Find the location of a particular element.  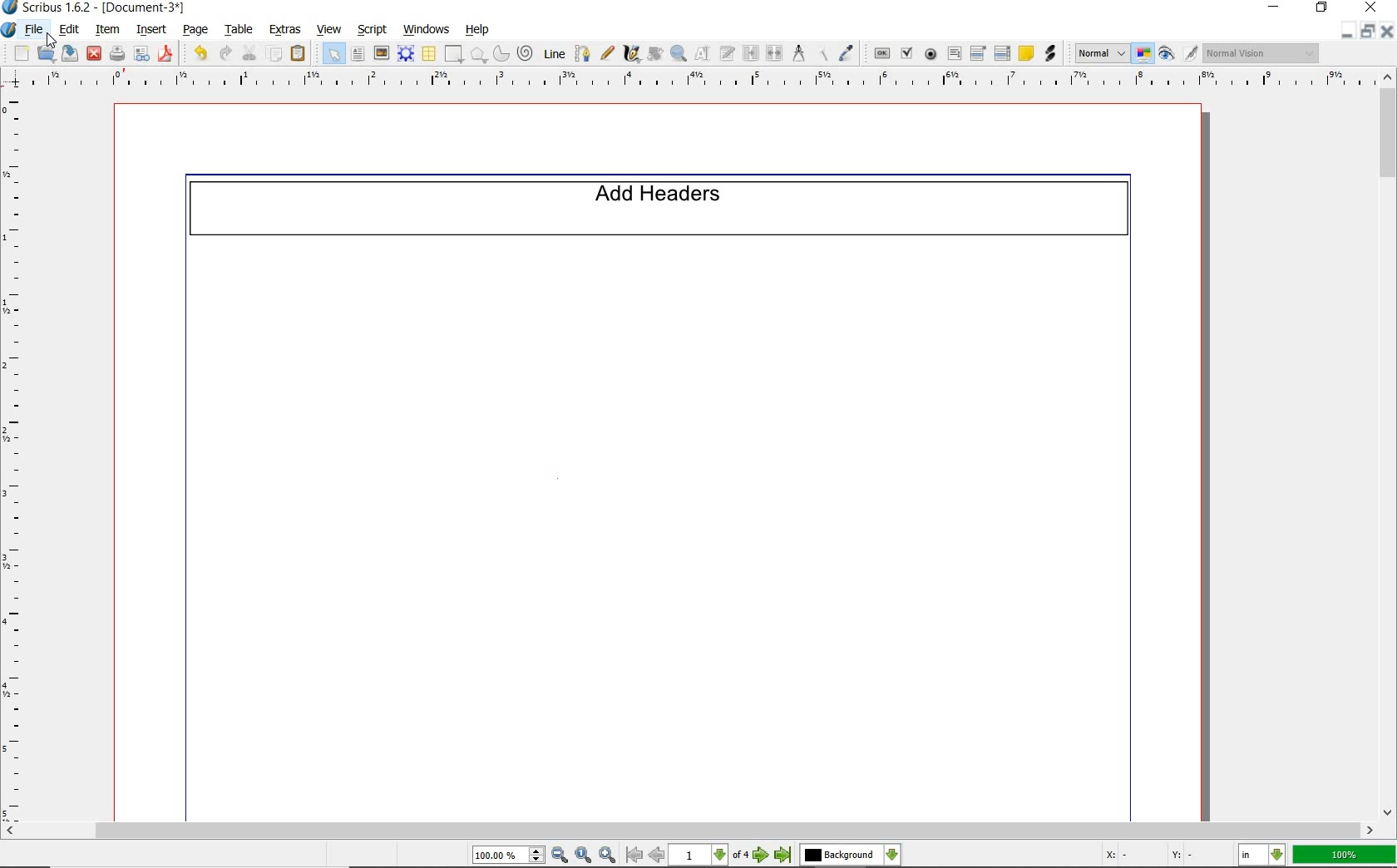

line is located at coordinates (554, 52).